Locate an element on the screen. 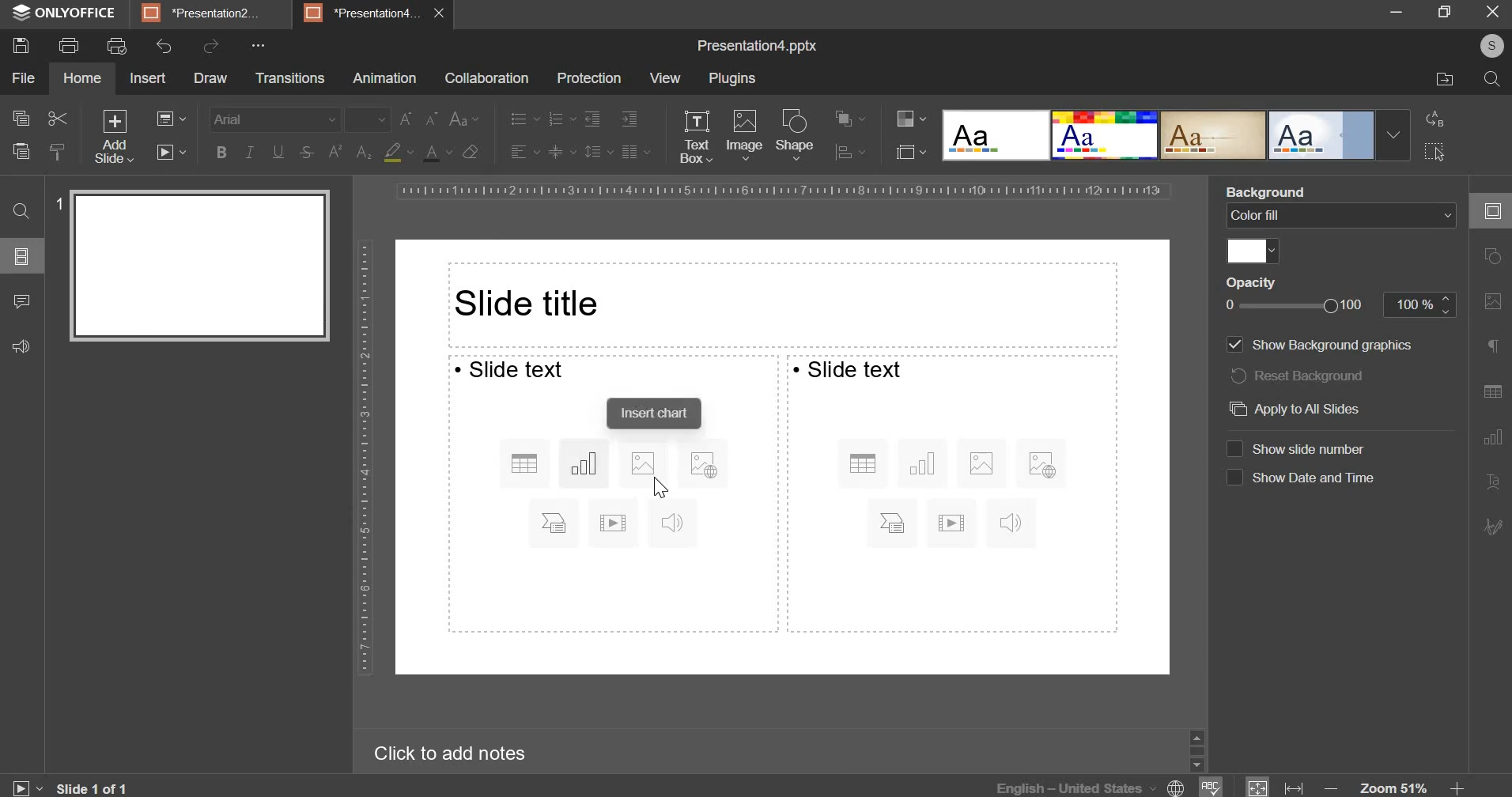 The image size is (1512, 797). close is located at coordinates (1492, 11).